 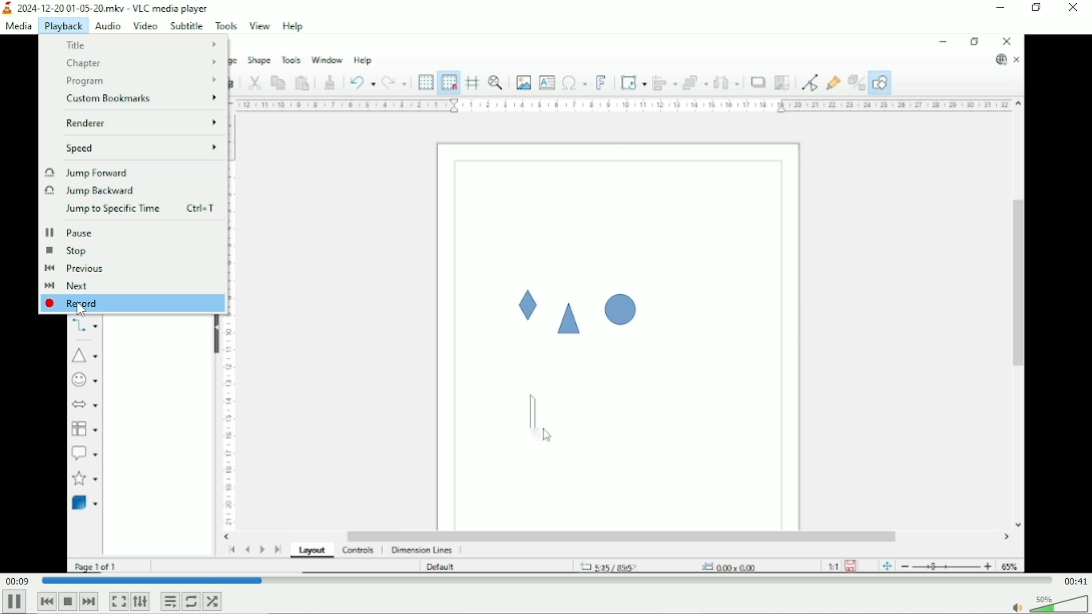 What do you see at coordinates (191, 601) in the screenshot?
I see `Toggle loop all, loop one and no loop` at bounding box center [191, 601].